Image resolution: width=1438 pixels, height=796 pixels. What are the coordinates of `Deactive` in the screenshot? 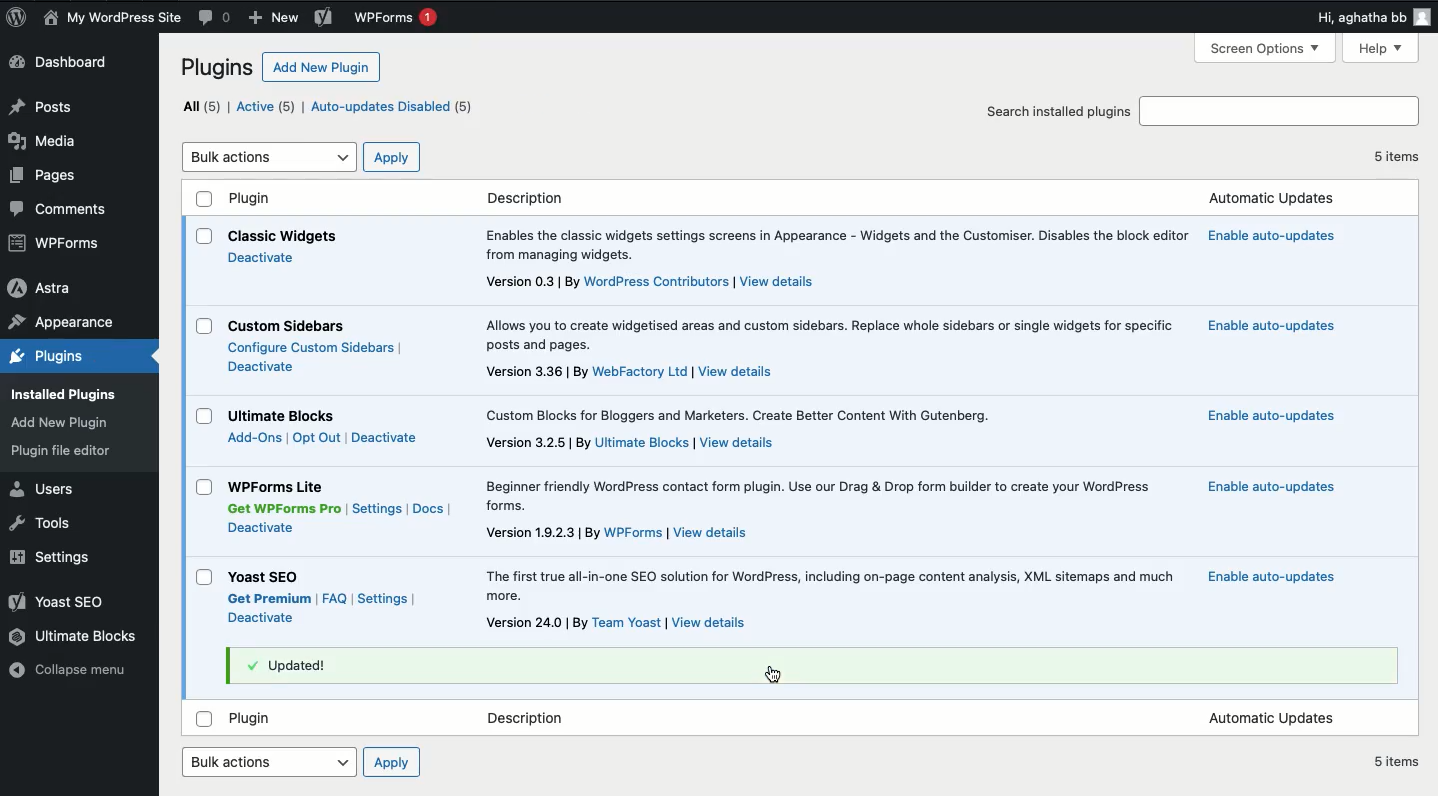 It's located at (387, 436).